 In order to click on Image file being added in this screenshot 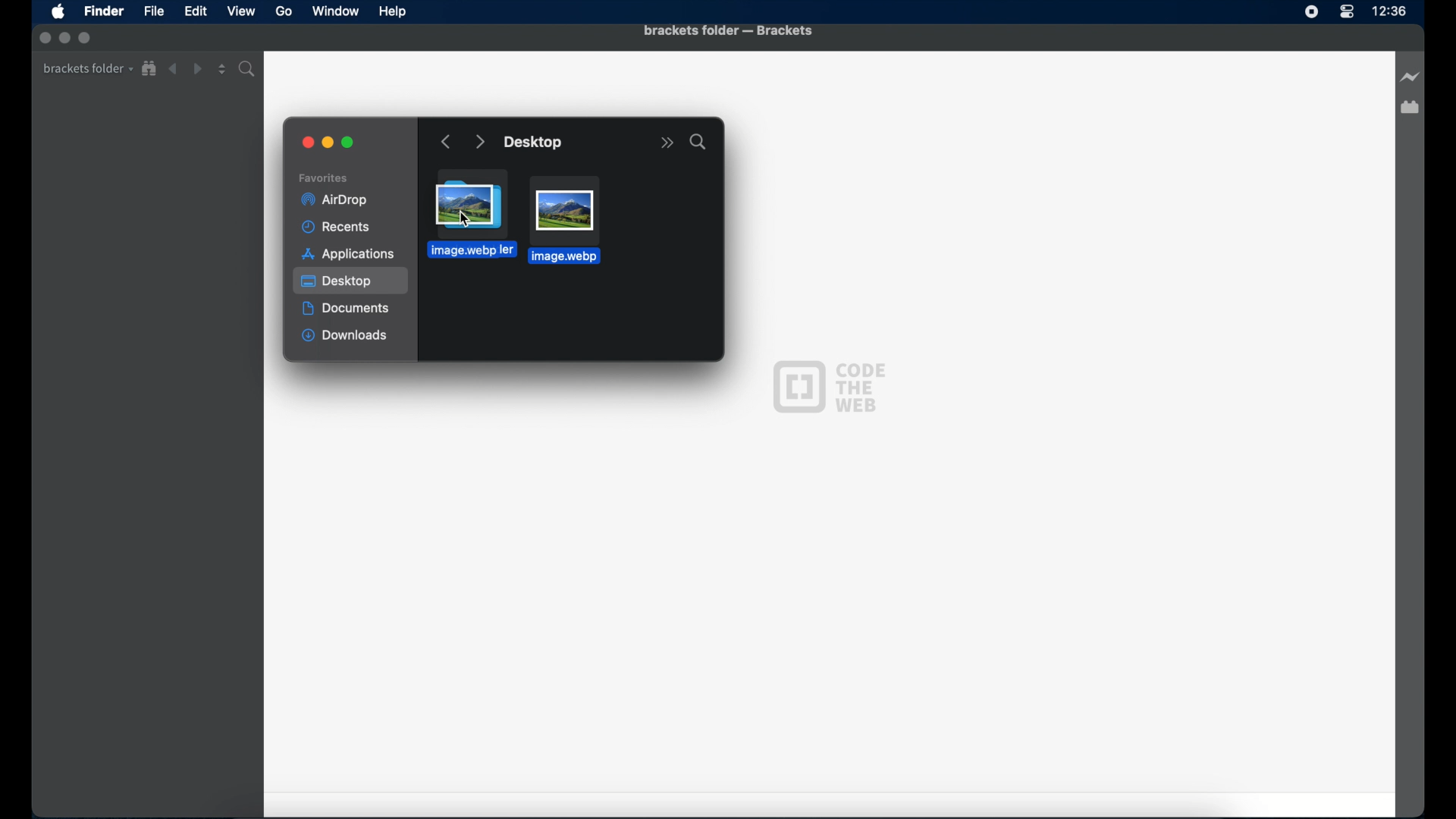, I will do `click(469, 218)`.